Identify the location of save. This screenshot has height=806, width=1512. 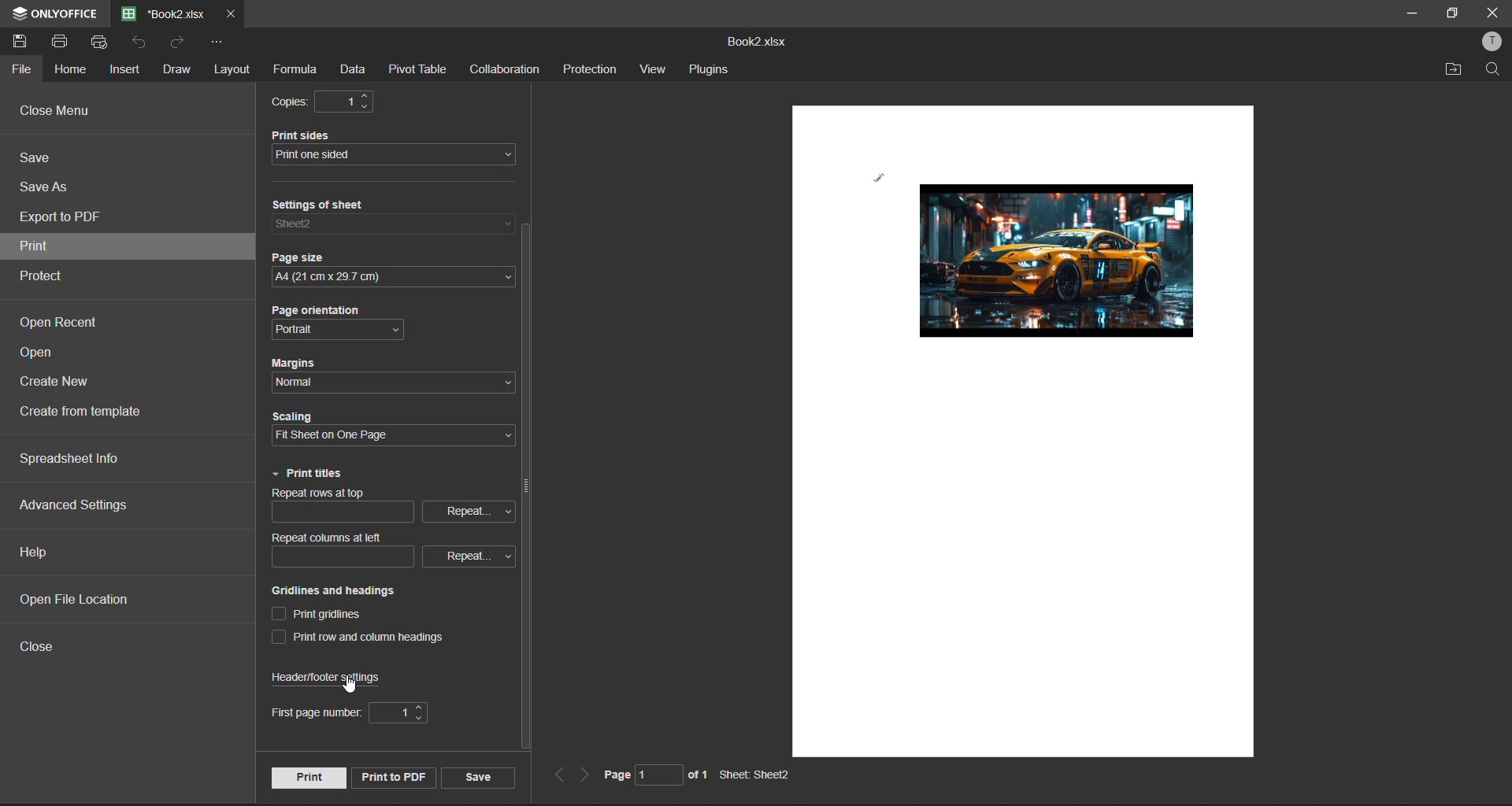
(476, 776).